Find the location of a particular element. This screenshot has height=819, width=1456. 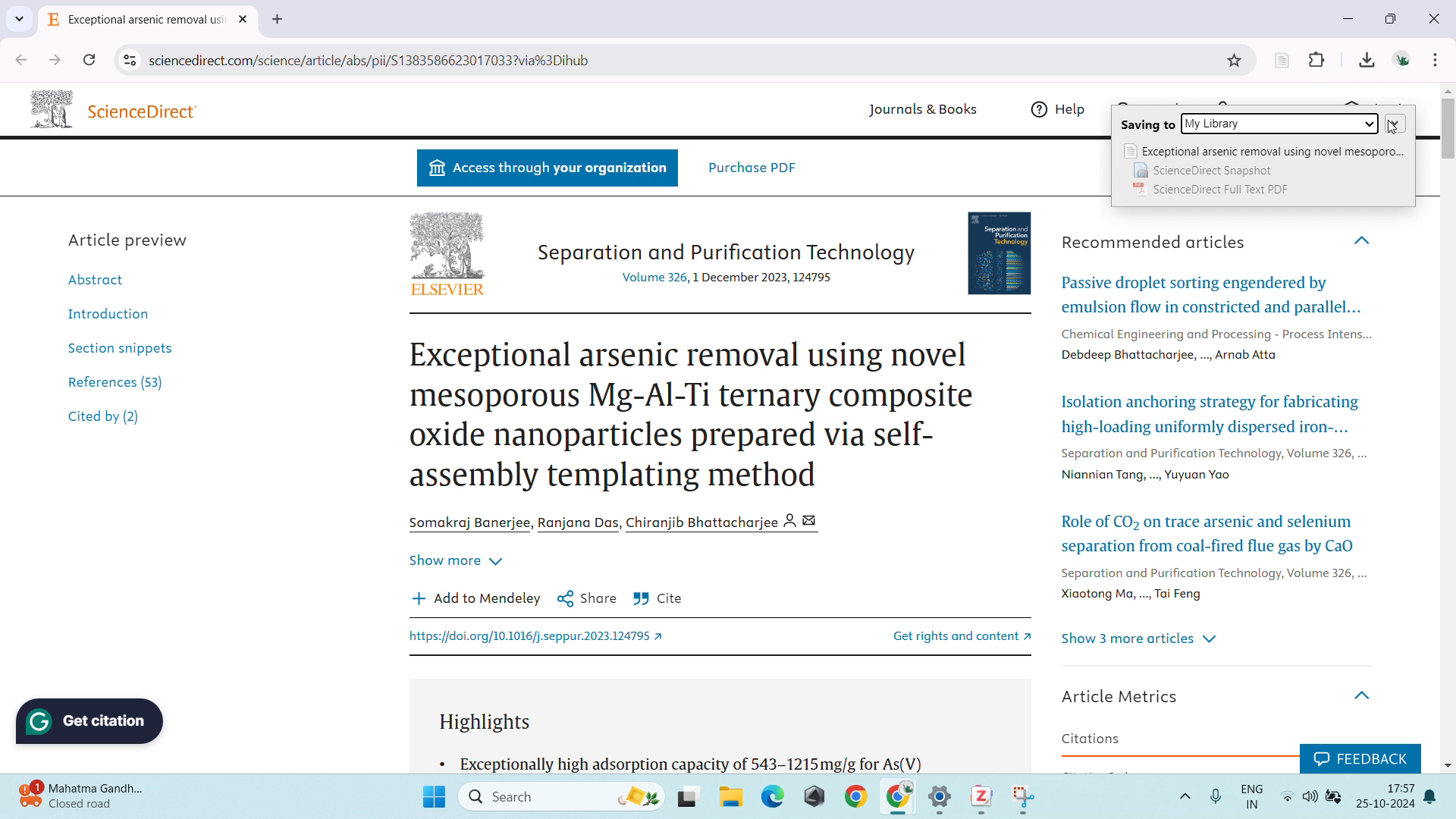

Logo is located at coordinates (49, 107).